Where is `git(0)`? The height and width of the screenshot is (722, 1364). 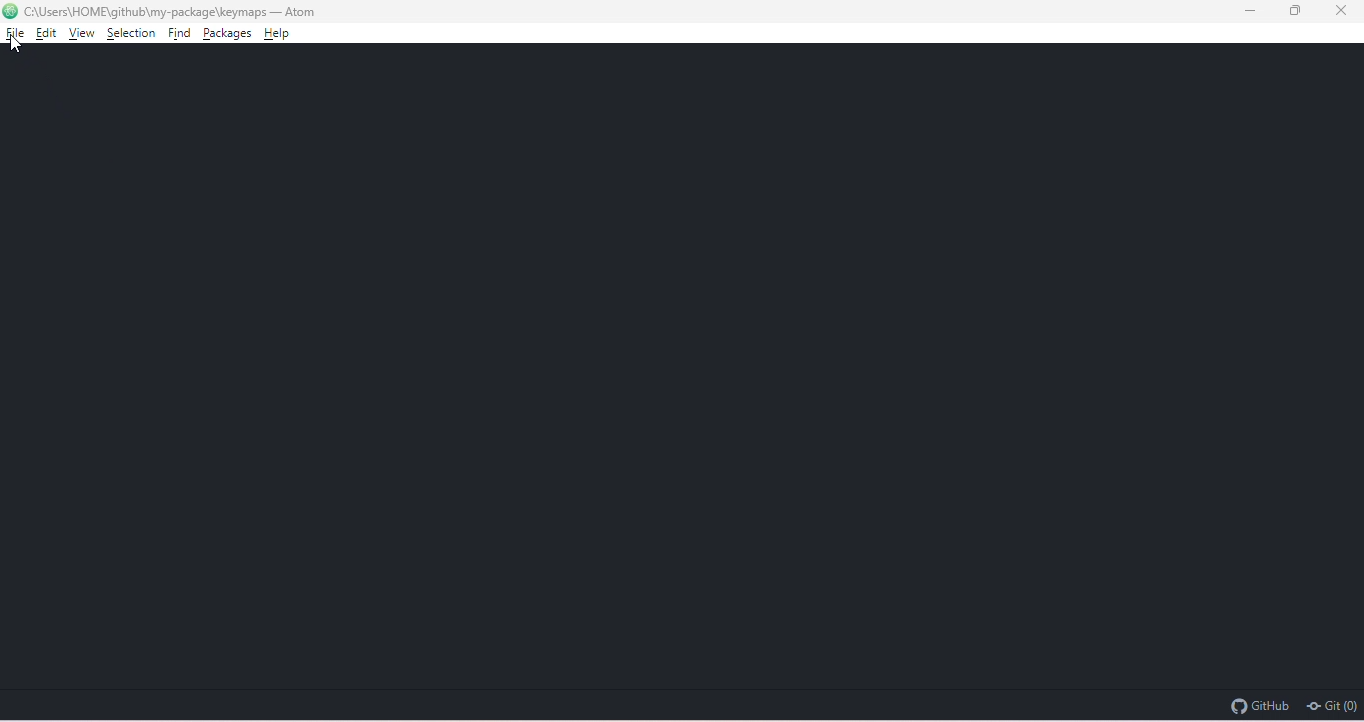 git(0) is located at coordinates (1330, 705).